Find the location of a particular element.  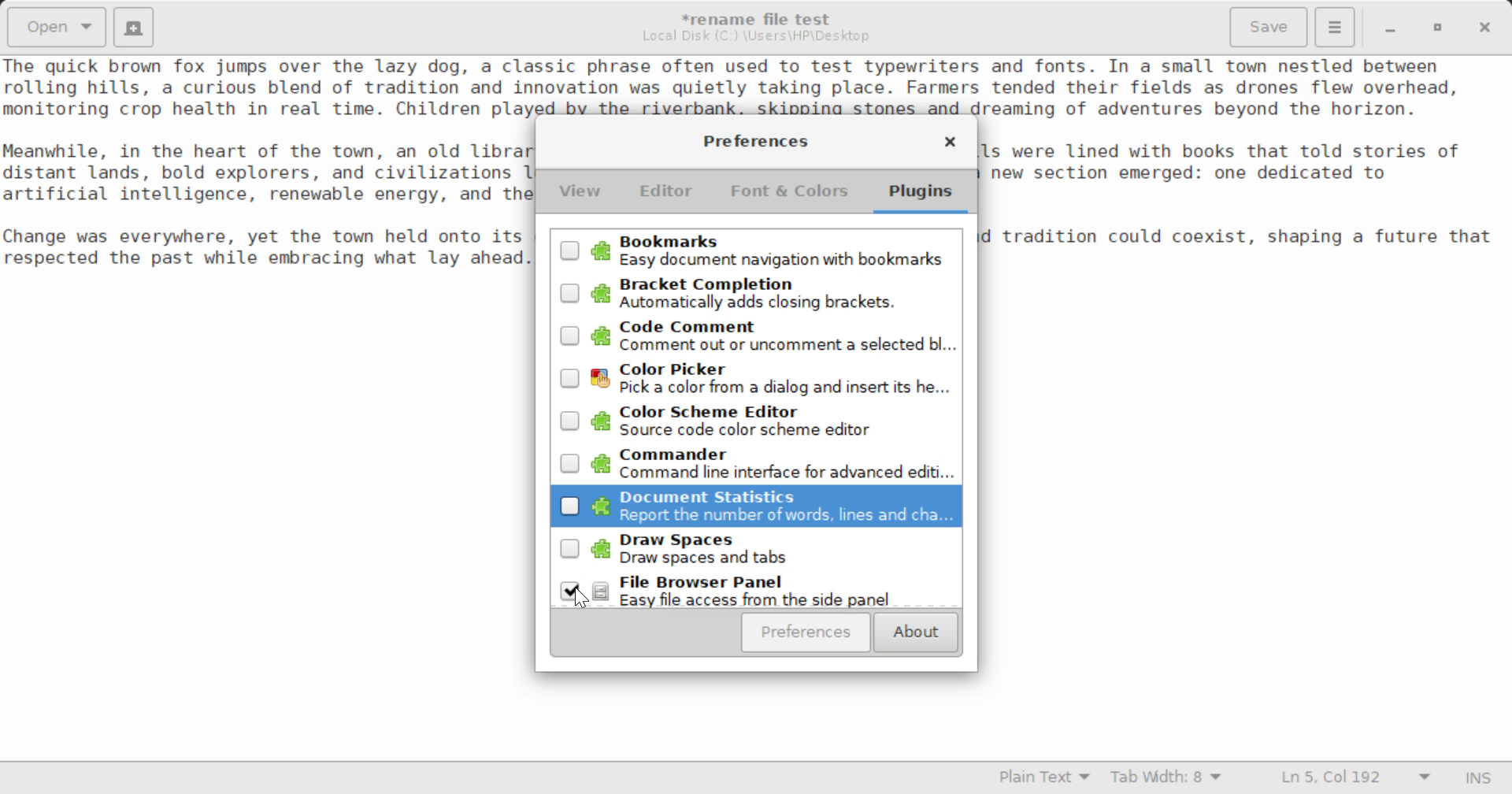

Open Document is located at coordinates (57, 25).